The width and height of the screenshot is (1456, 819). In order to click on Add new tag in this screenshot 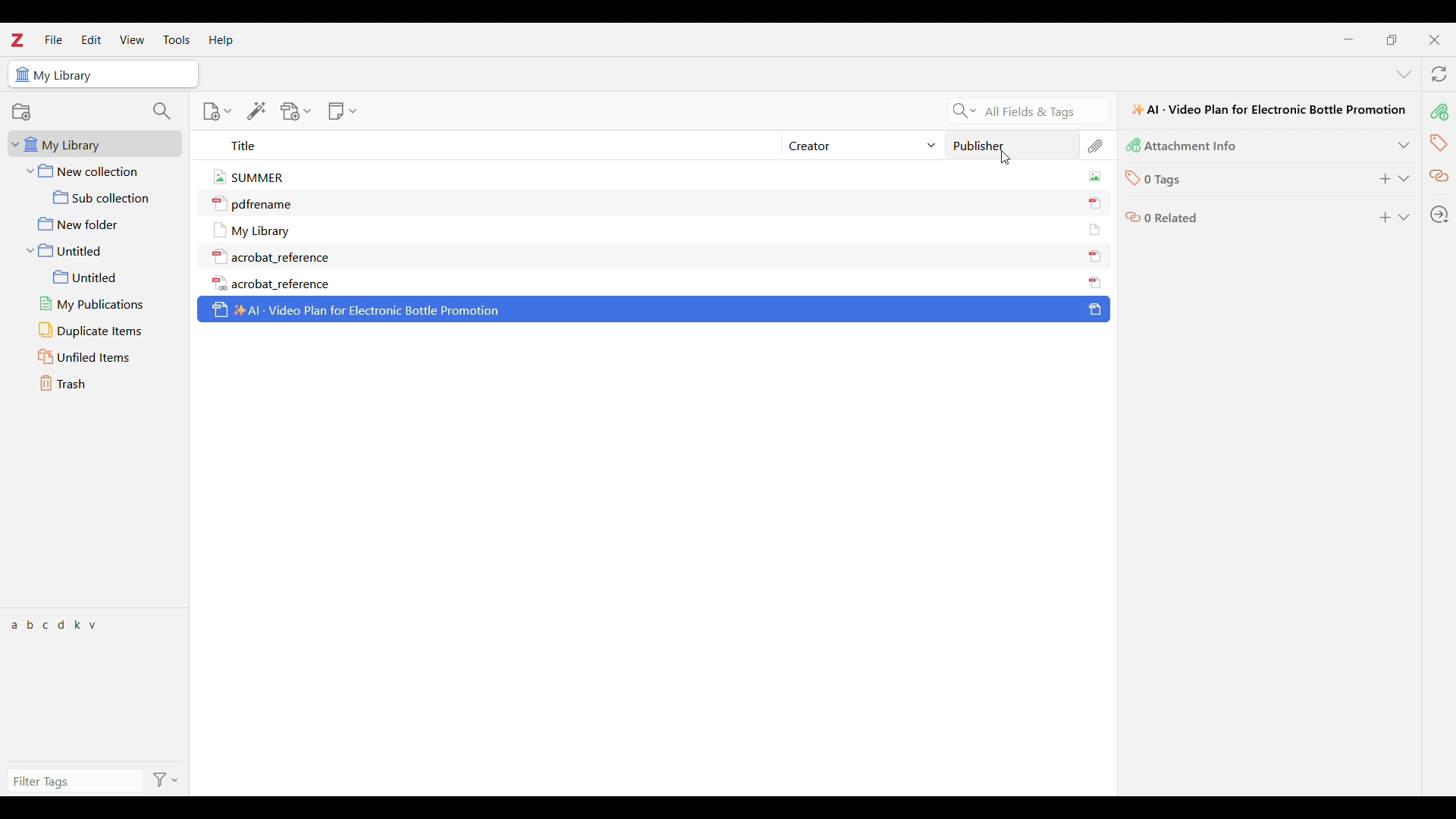, I will do `click(1384, 179)`.